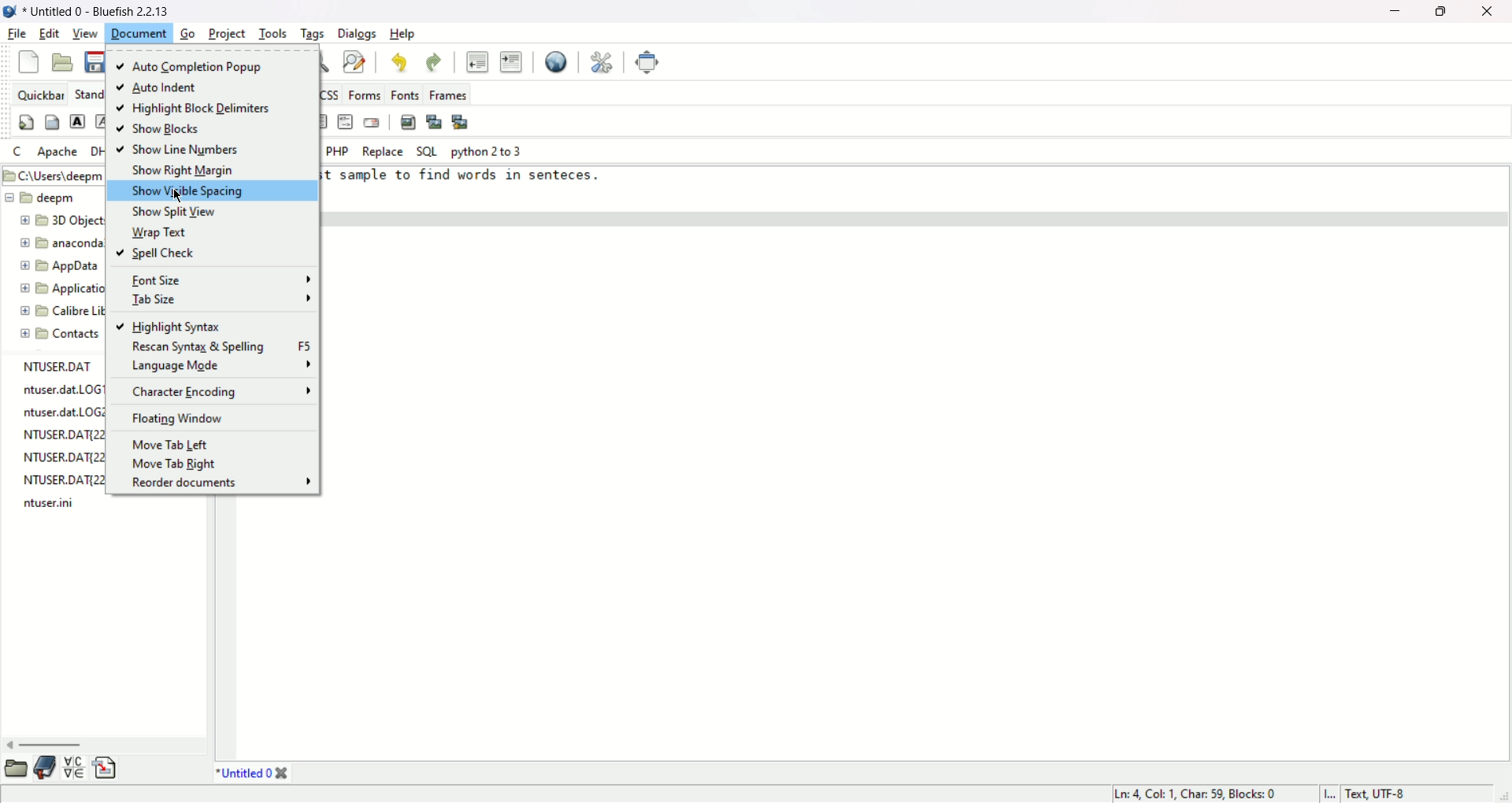 The image size is (1512, 803). I want to click on l..., so click(1329, 794).